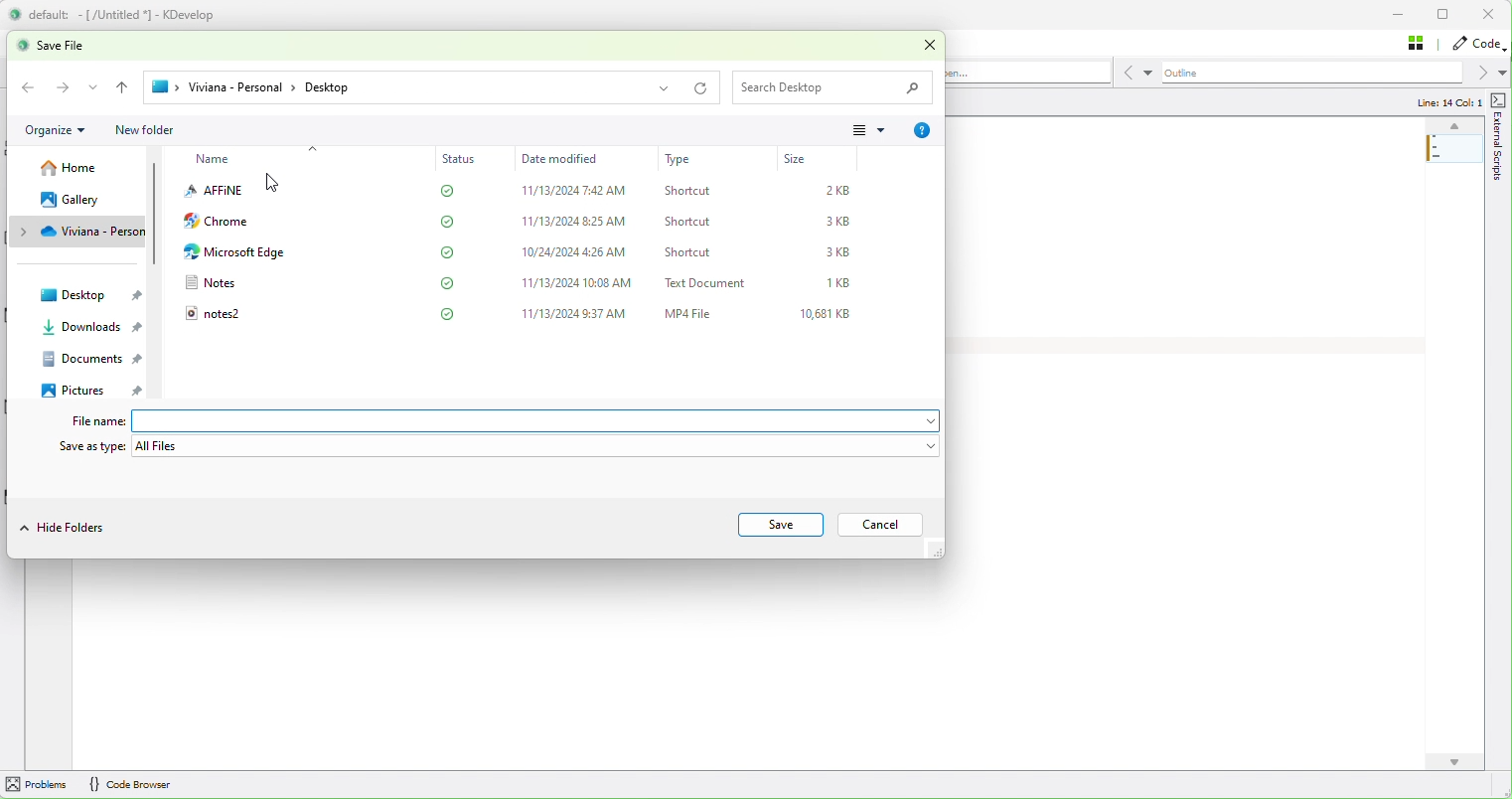  Describe the element at coordinates (1478, 45) in the screenshot. I see `Code` at that location.